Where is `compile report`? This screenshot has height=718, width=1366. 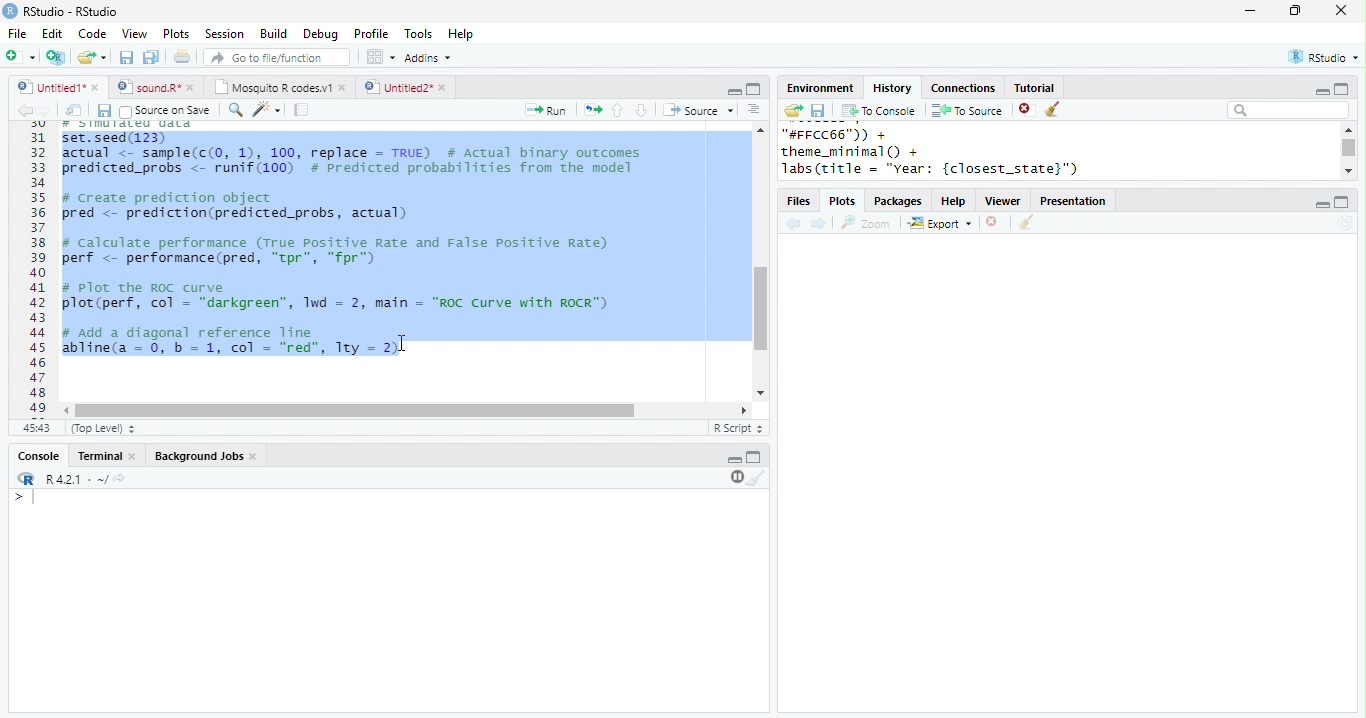 compile report is located at coordinates (302, 109).